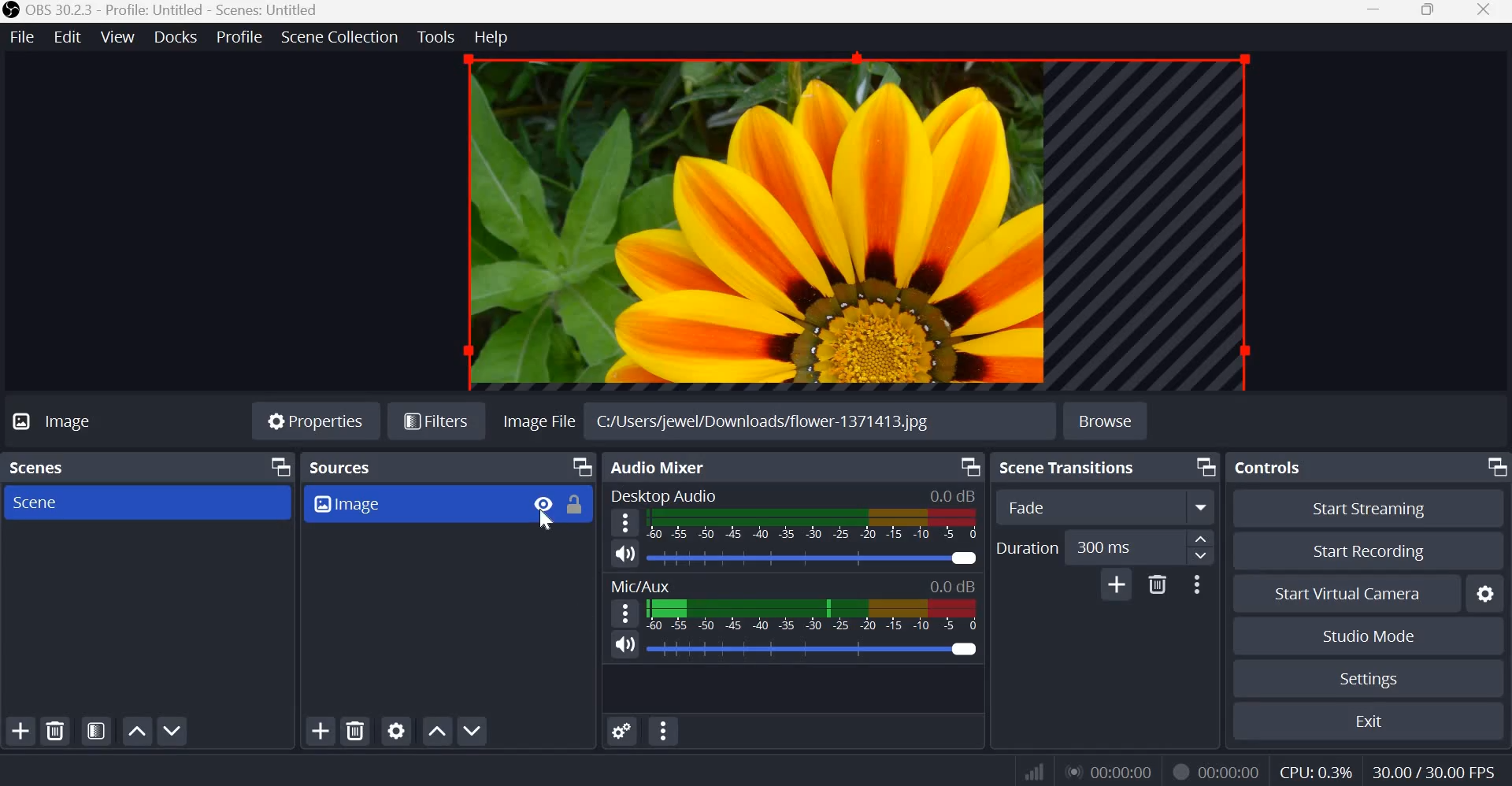  Describe the element at coordinates (1485, 593) in the screenshot. I see `configure virtual camera` at that location.